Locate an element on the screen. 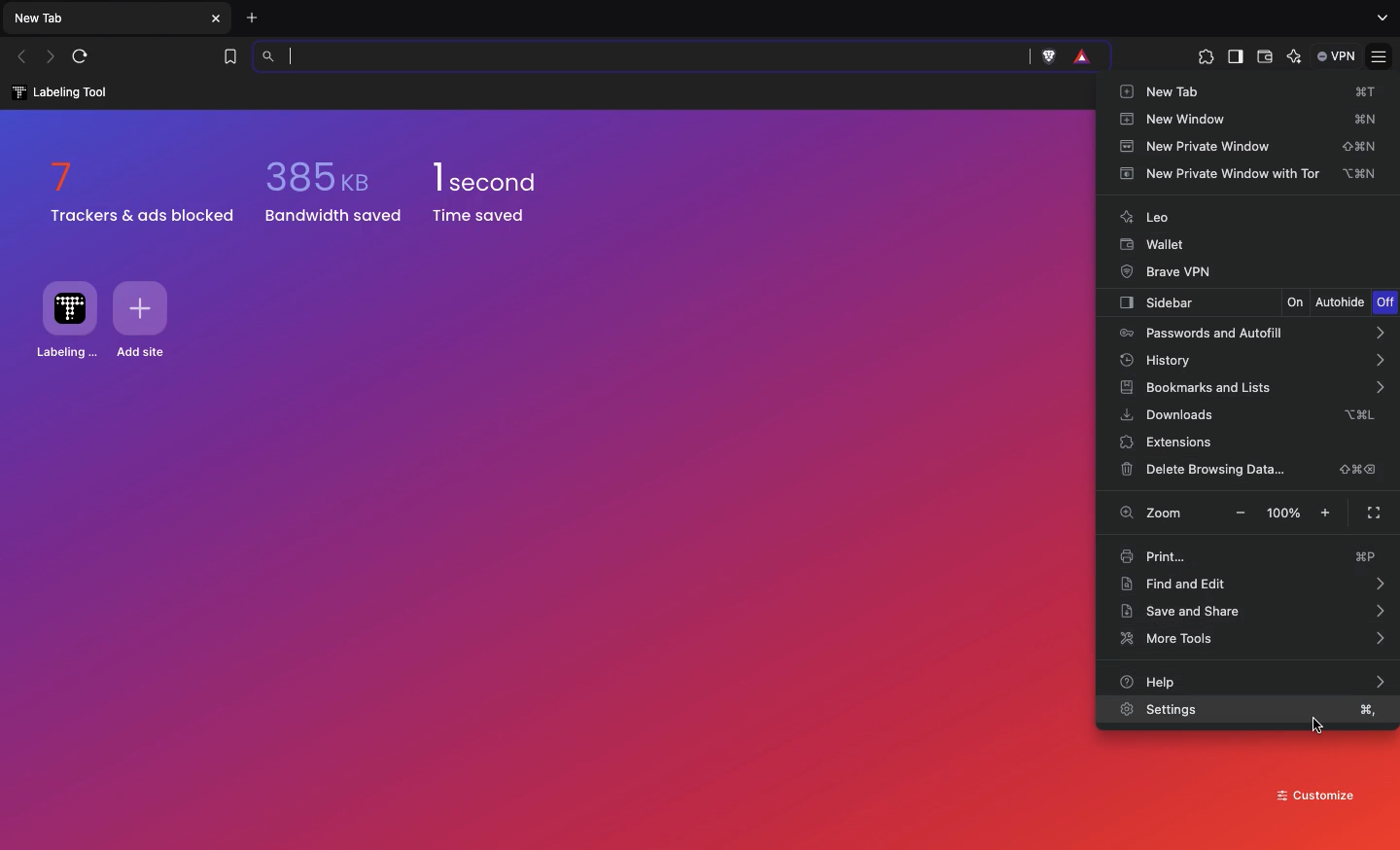 The image size is (1400, 850). labelling tool is located at coordinates (57, 91).